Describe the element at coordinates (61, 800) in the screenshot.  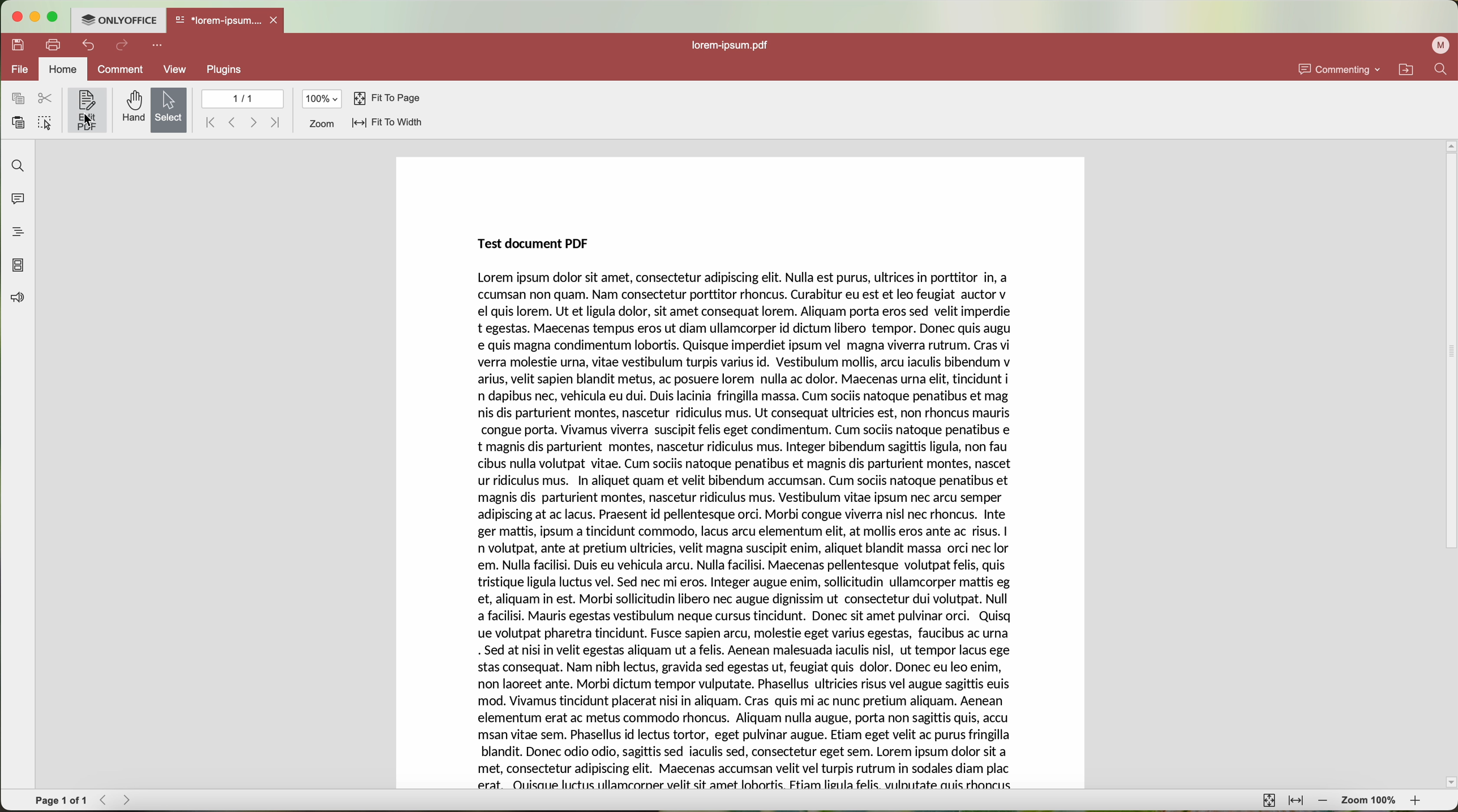
I see `Page 1 of 1` at that location.